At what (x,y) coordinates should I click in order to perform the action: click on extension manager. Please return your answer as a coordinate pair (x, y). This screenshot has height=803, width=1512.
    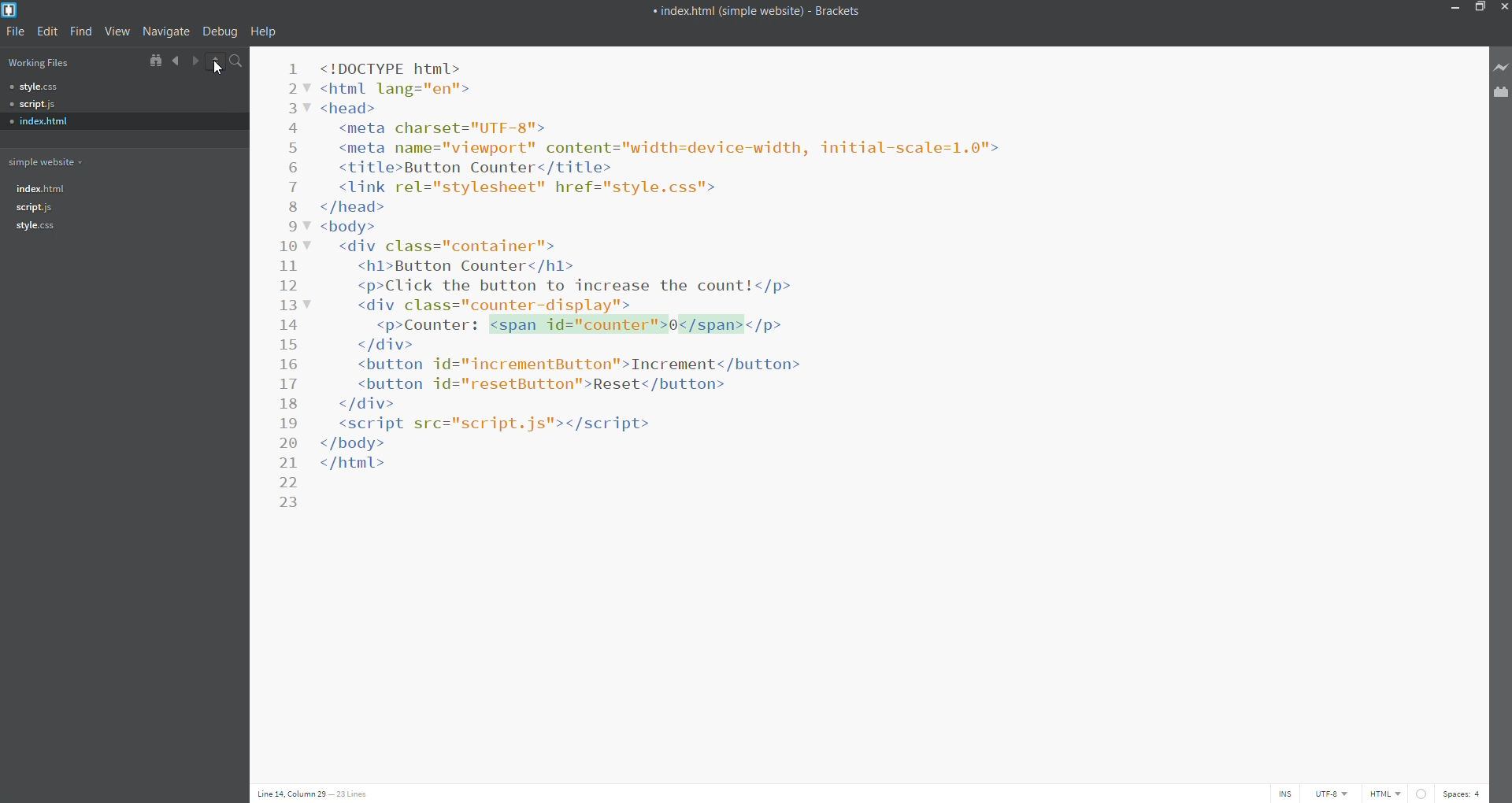
    Looking at the image, I should click on (1503, 97).